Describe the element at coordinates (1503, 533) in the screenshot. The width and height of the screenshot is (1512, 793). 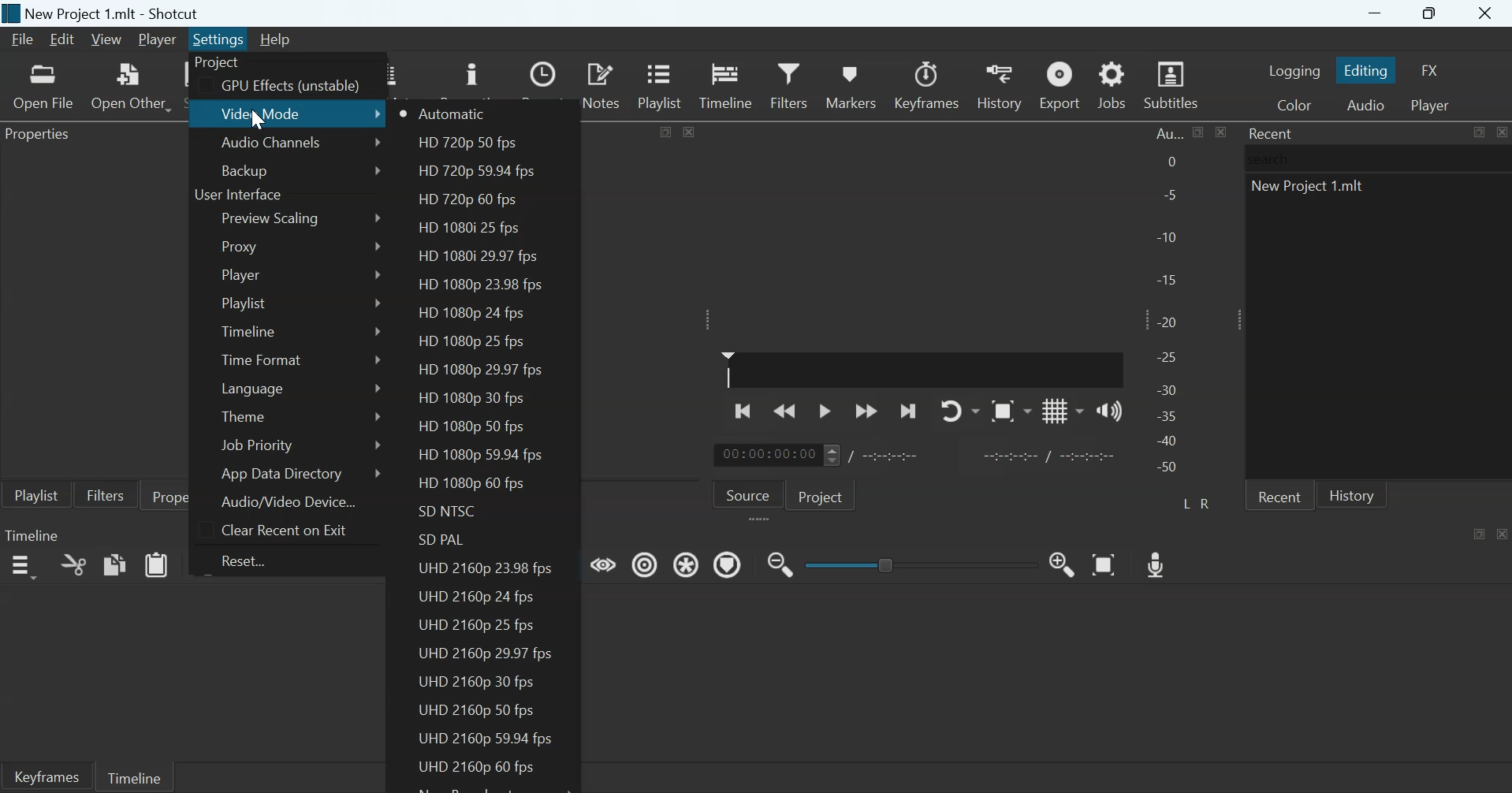
I see `Close` at that location.